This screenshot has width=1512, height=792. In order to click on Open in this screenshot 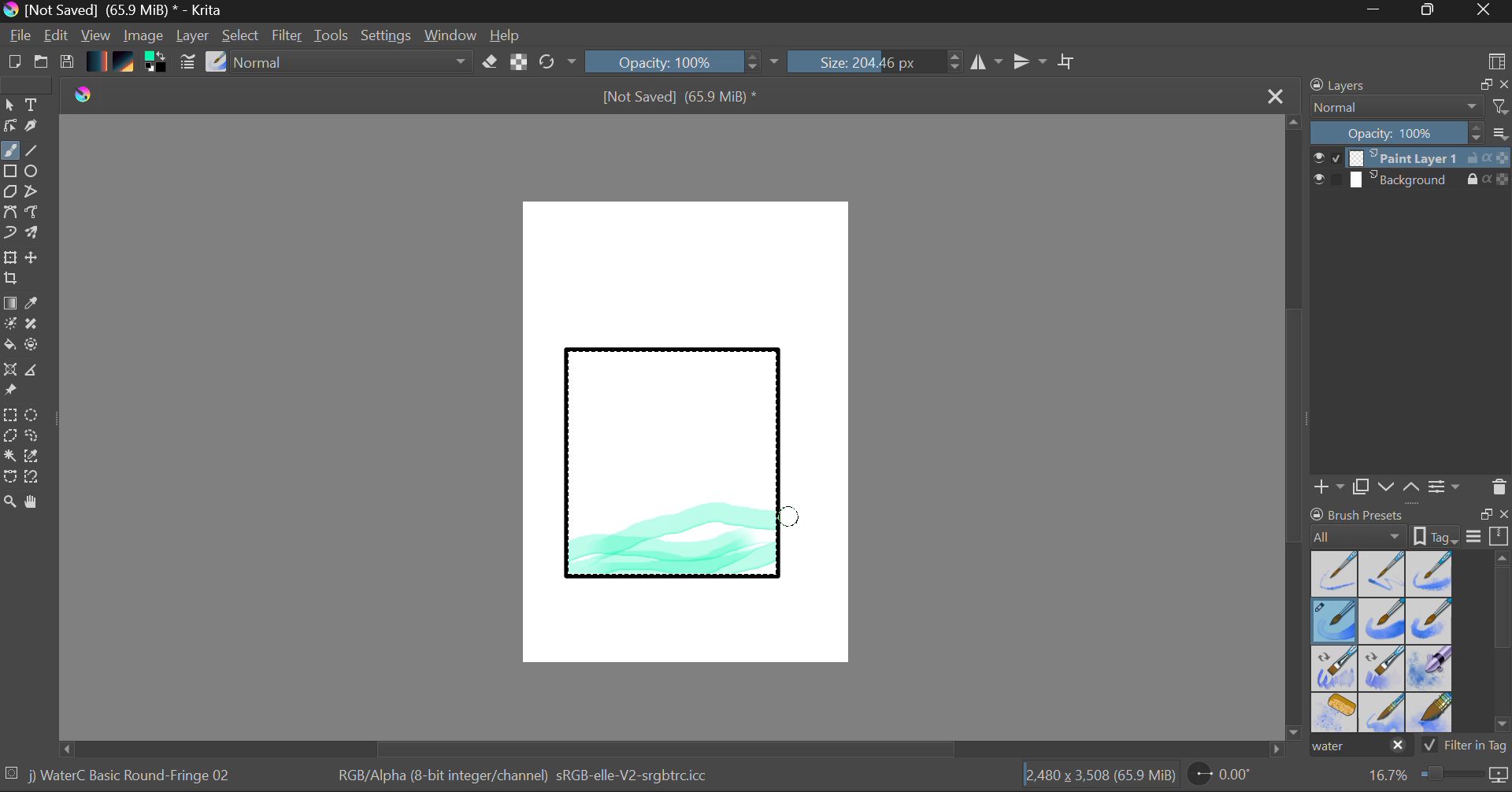, I will do `click(43, 64)`.